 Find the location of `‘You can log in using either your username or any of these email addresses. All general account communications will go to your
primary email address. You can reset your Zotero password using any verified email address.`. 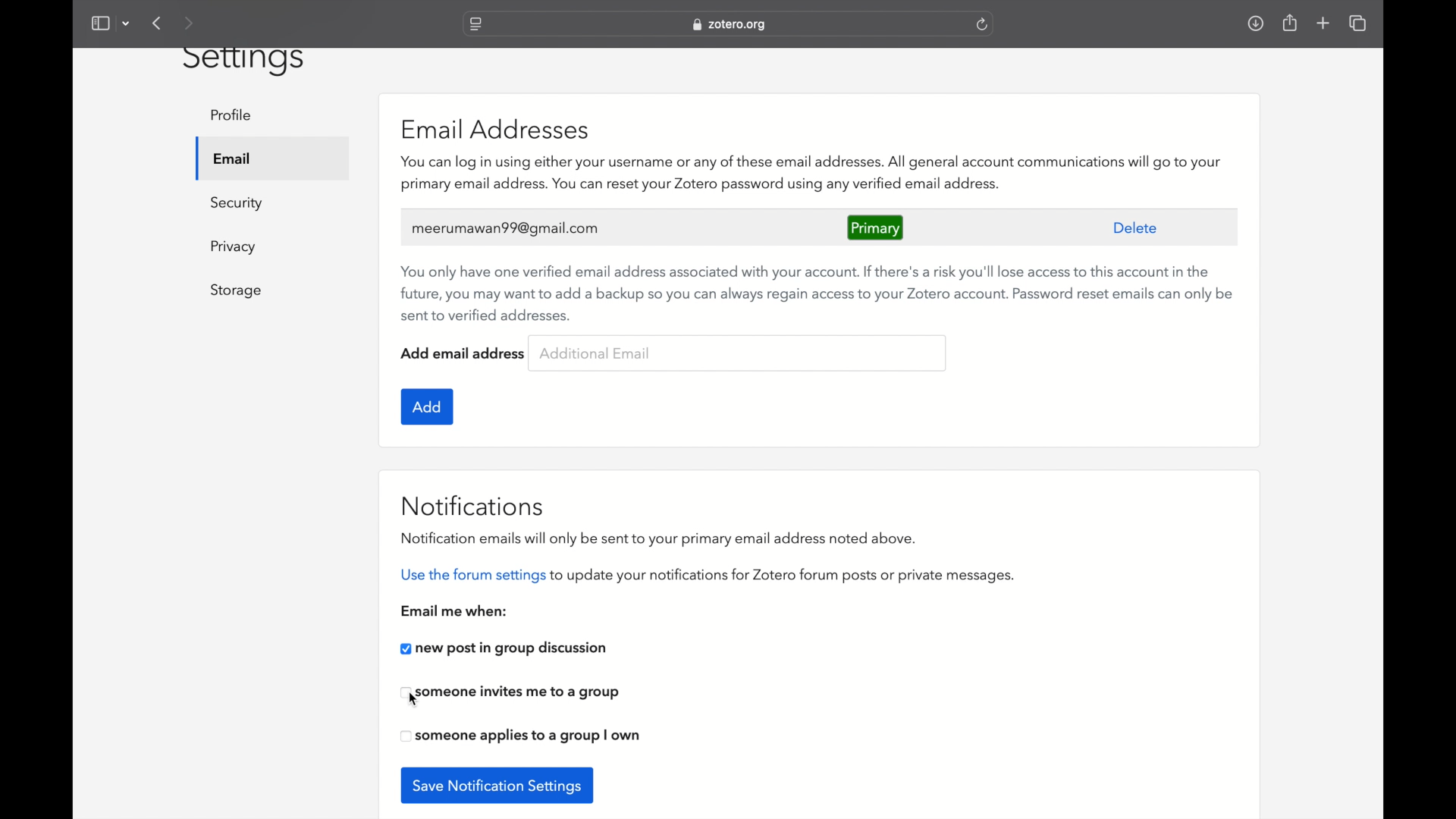

‘You can log in using either your username or any of these email addresses. All general account communications will go to your
primary email address. You can reset your Zotero password using any verified email address. is located at coordinates (814, 169).